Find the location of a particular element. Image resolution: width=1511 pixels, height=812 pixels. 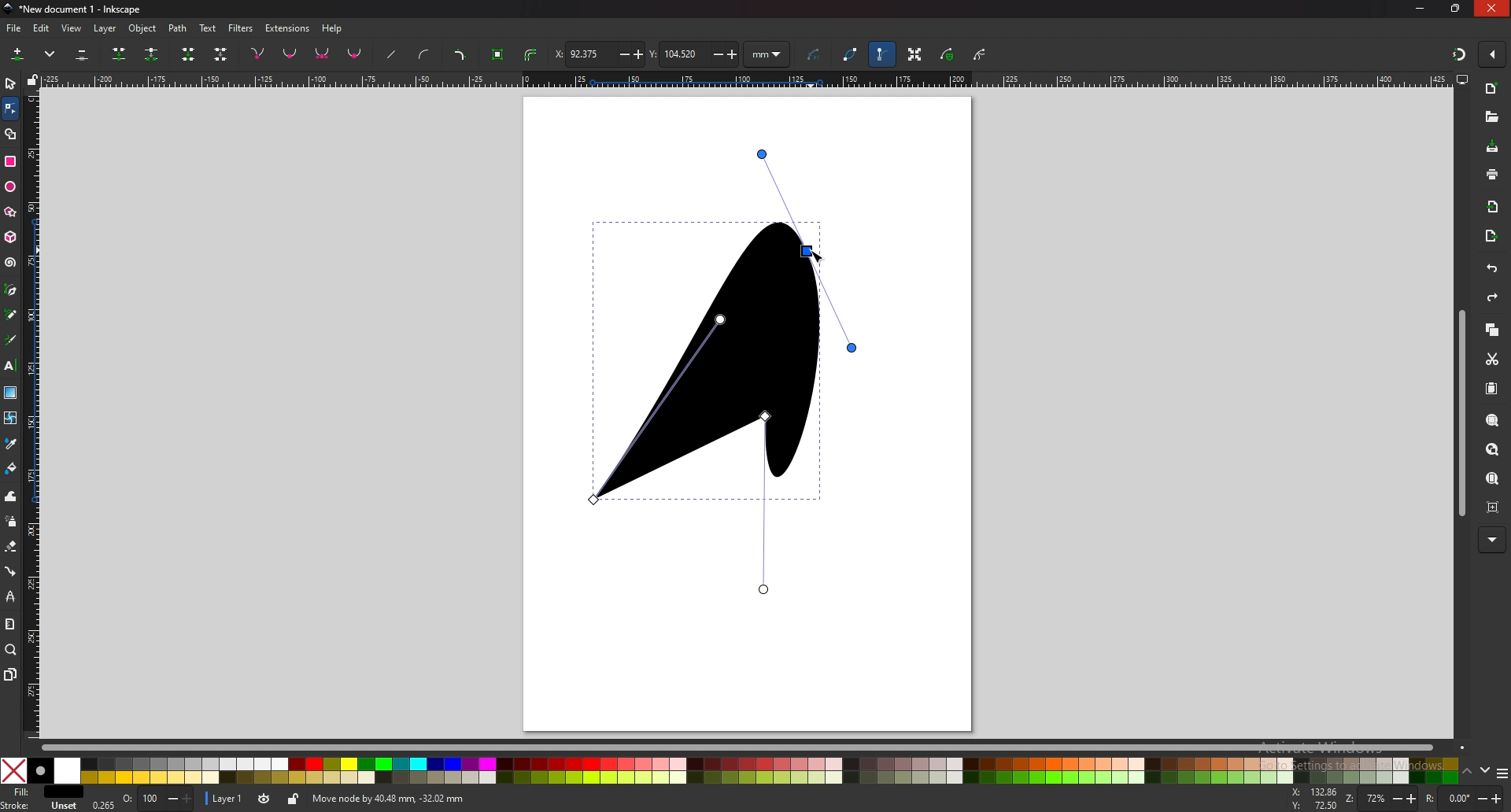

shape builder is located at coordinates (11, 134).